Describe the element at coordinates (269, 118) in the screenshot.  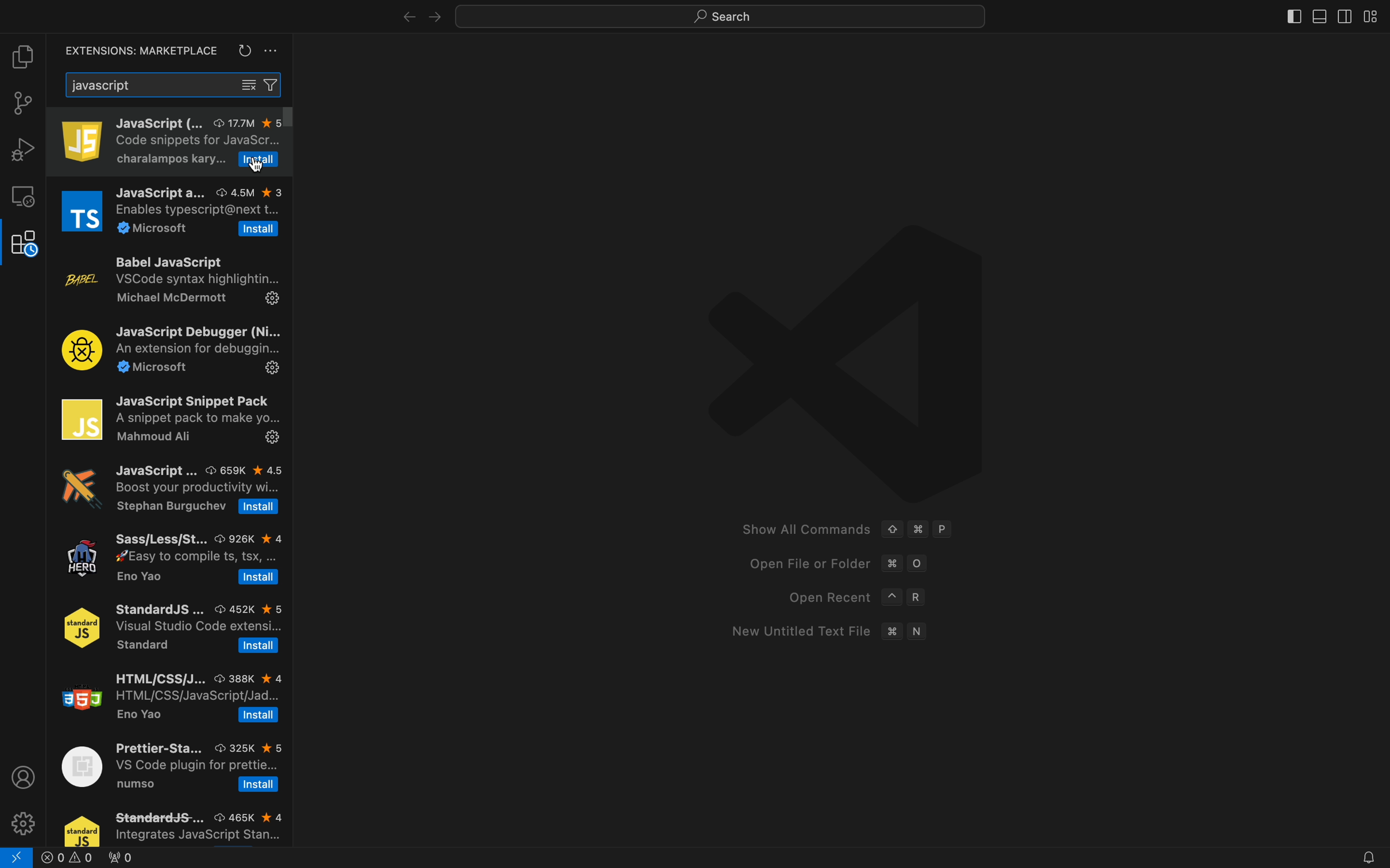
I see `installed extensions` at that location.